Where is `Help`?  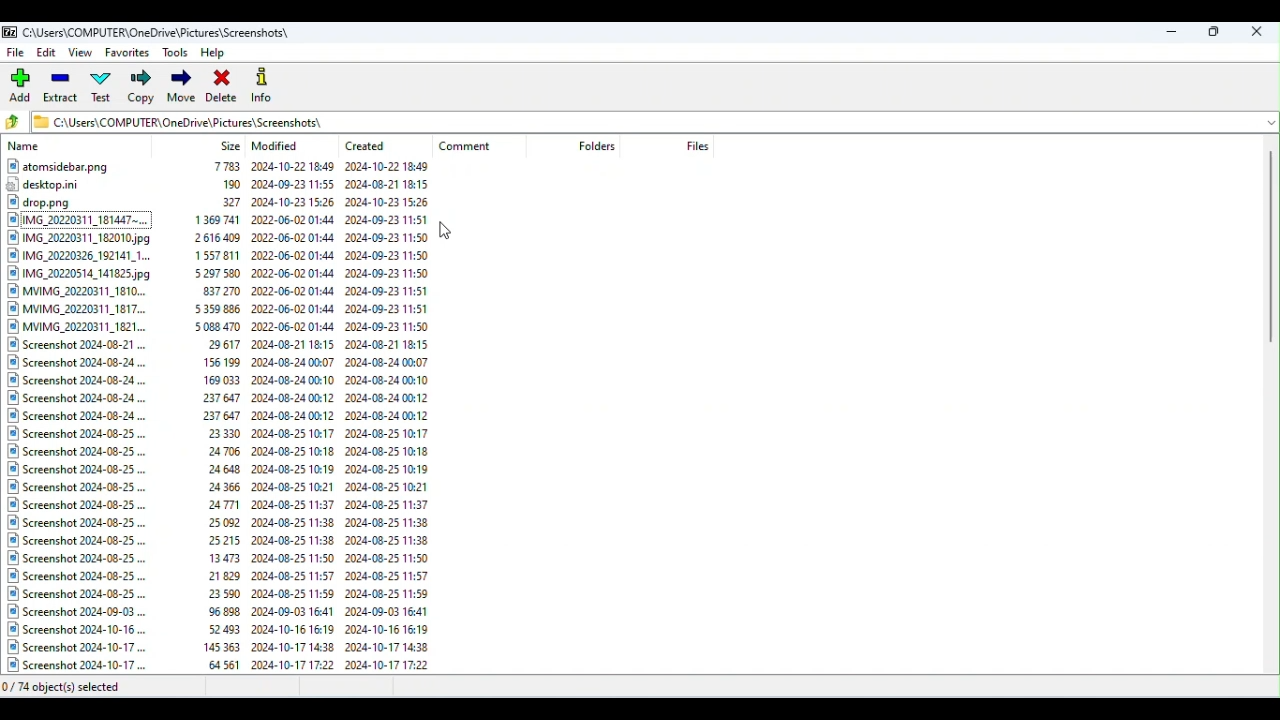 Help is located at coordinates (218, 51).